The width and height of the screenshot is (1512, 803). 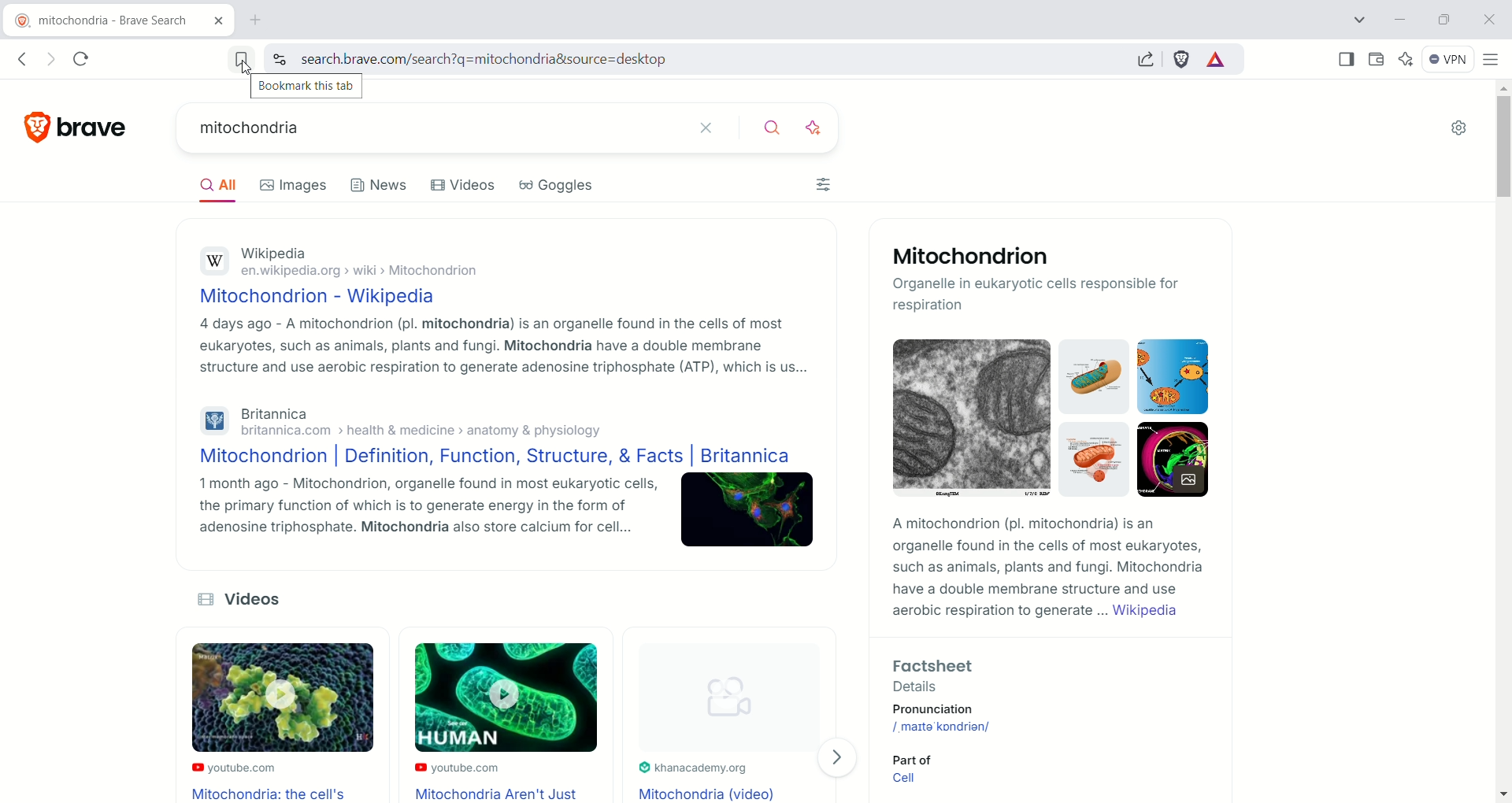 I want to click on Mitochondrion | Definition, Function, Structure, & Facts | Britannica, so click(x=490, y=457).